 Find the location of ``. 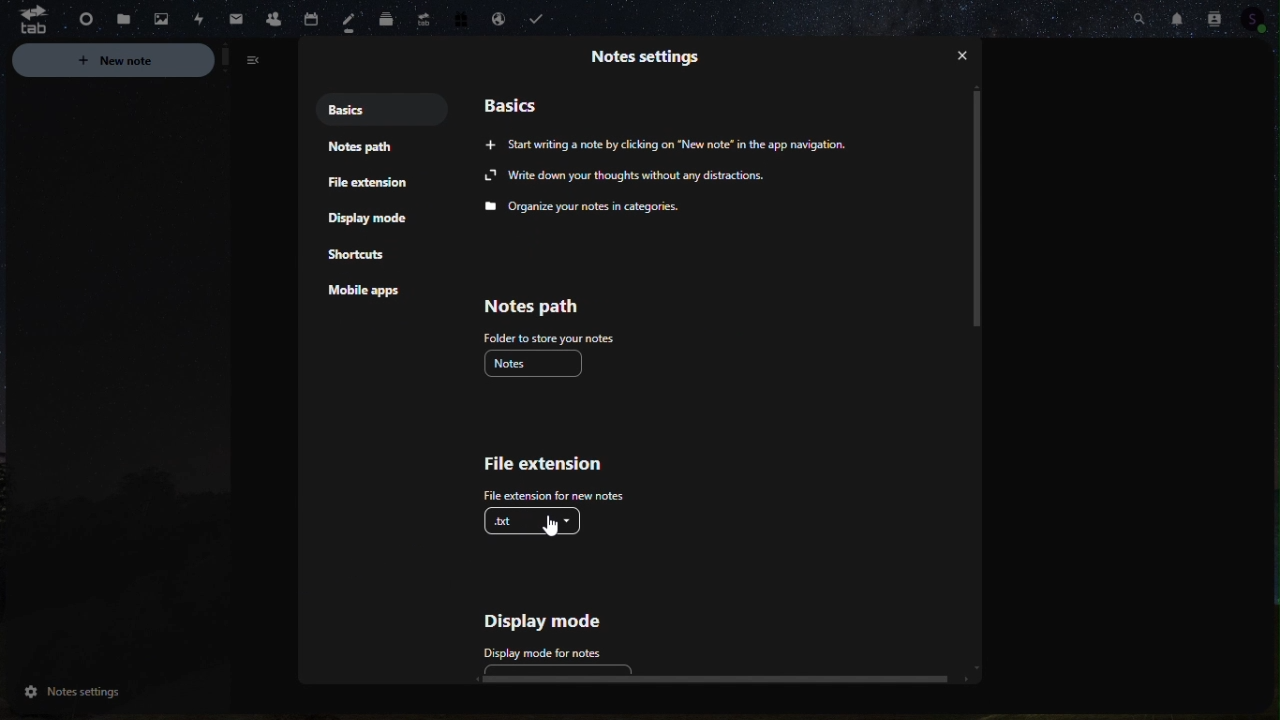

 is located at coordinates (235, 15).